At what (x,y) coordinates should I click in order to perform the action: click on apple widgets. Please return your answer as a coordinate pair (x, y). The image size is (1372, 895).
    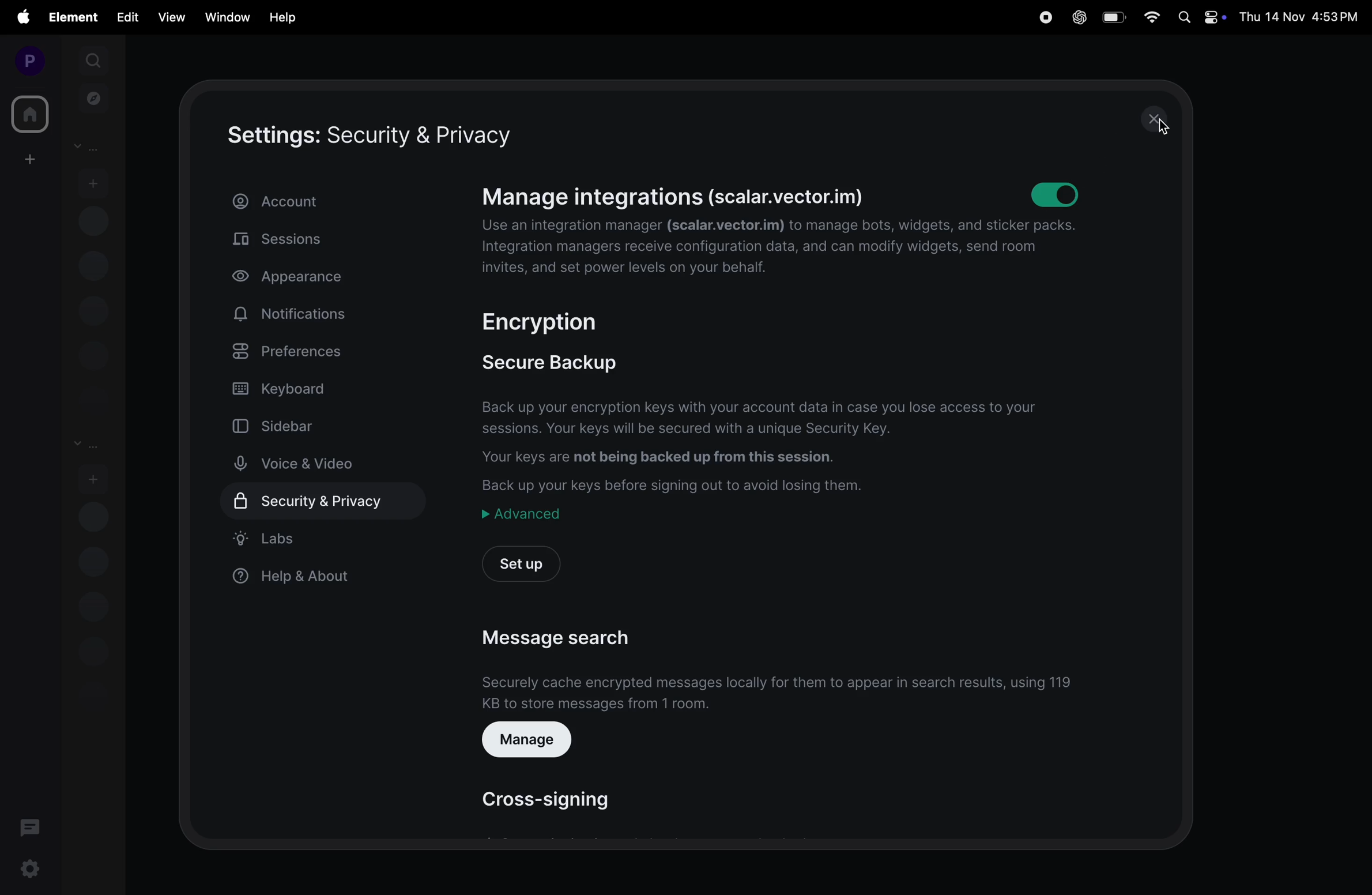
    Looking at the image, I should click on (1211, 18).